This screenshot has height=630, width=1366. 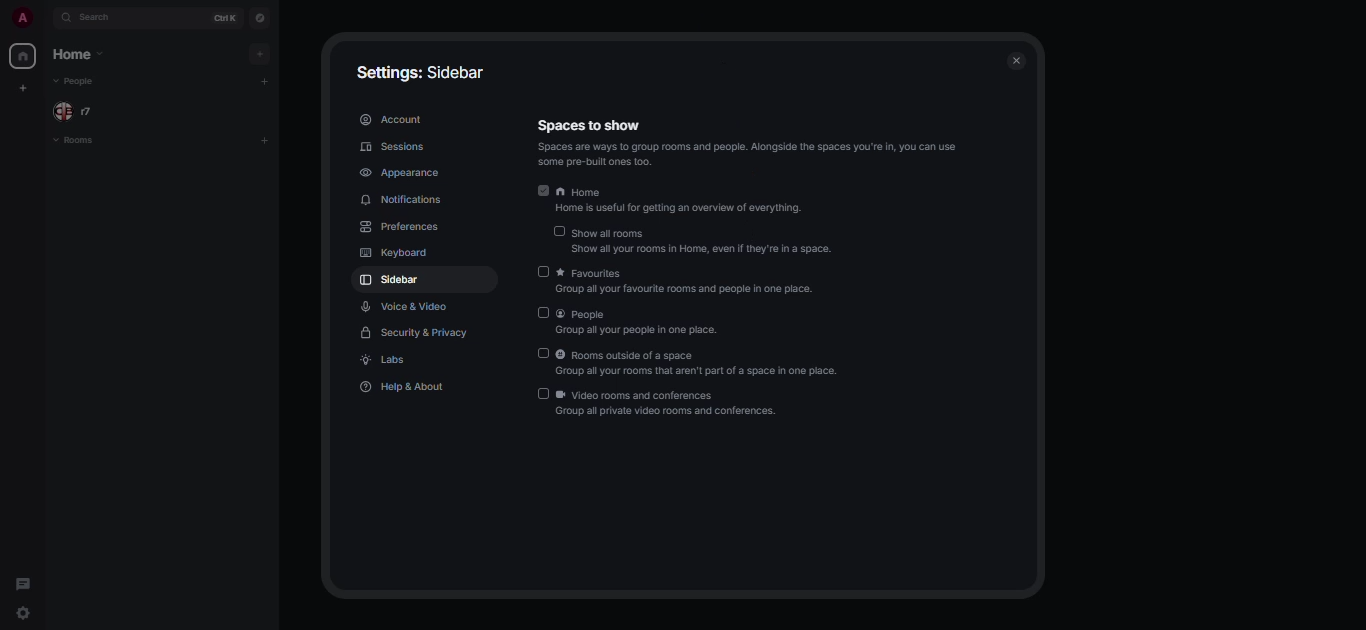 I want to click on create space, so click(x=22, y=121).